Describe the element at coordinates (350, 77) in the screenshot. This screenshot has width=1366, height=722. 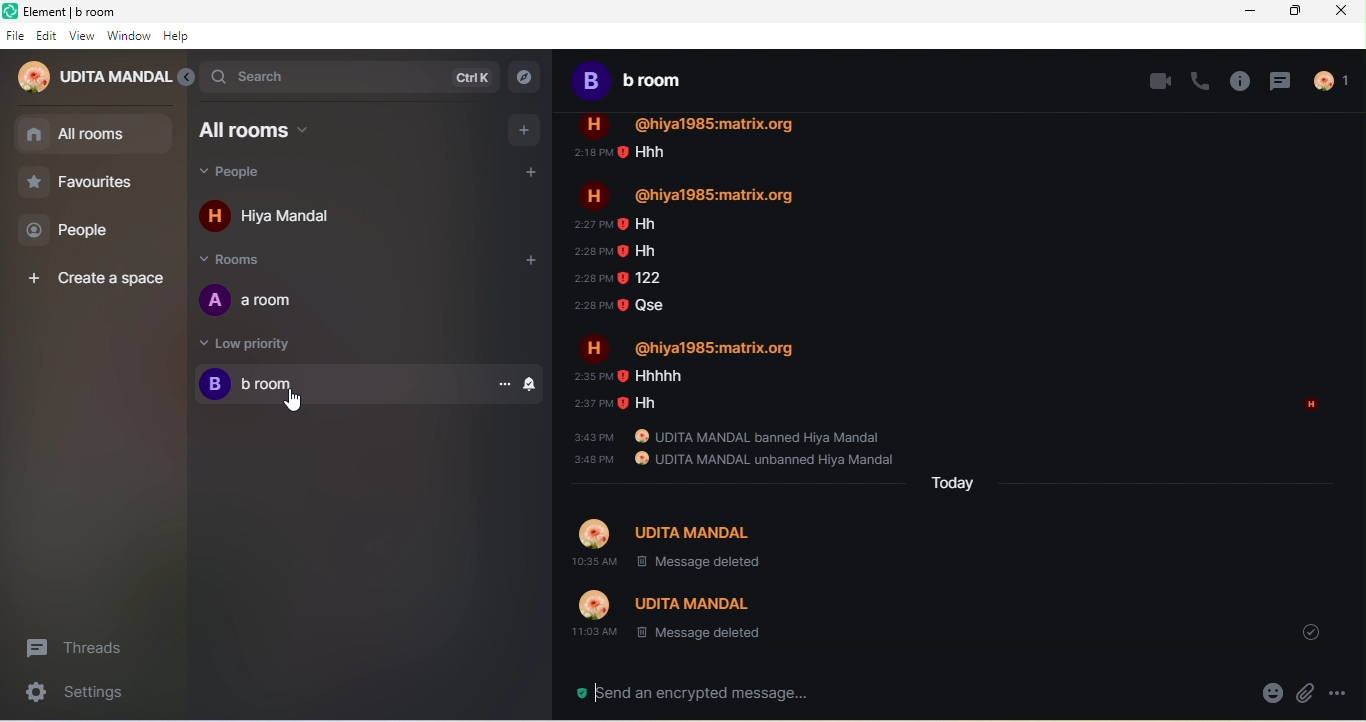
I see `search` at that location.